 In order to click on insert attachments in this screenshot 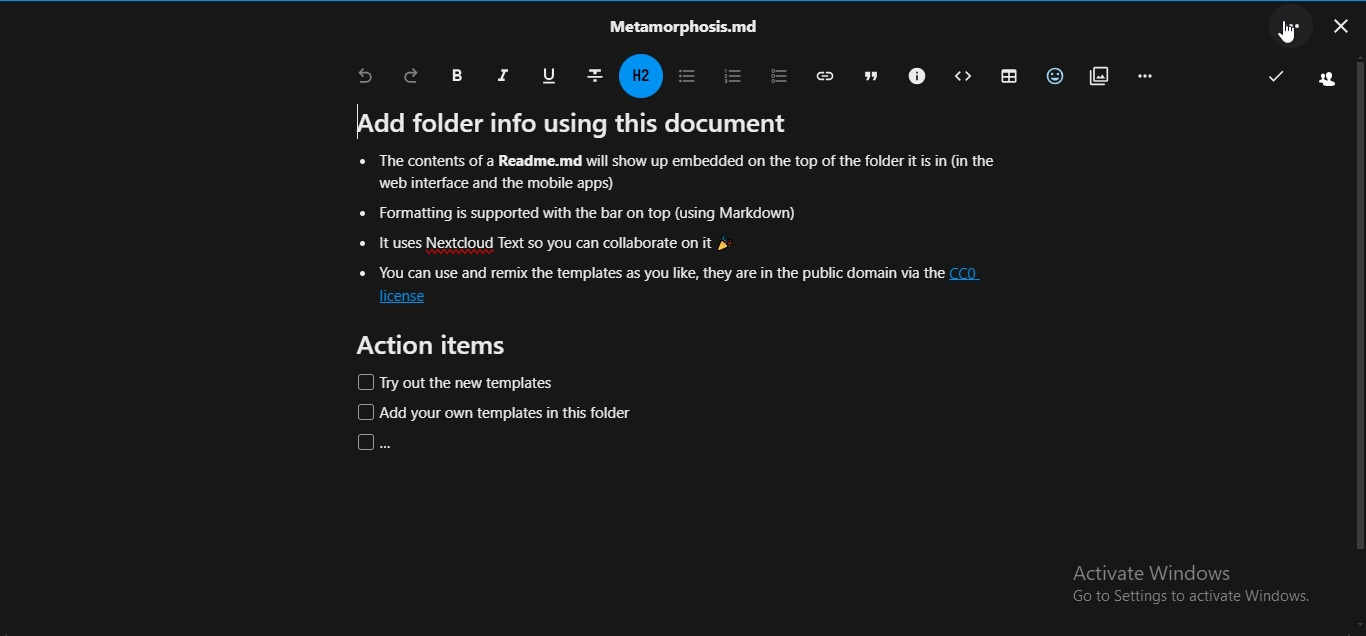, I will do `click(1099, 76)`.